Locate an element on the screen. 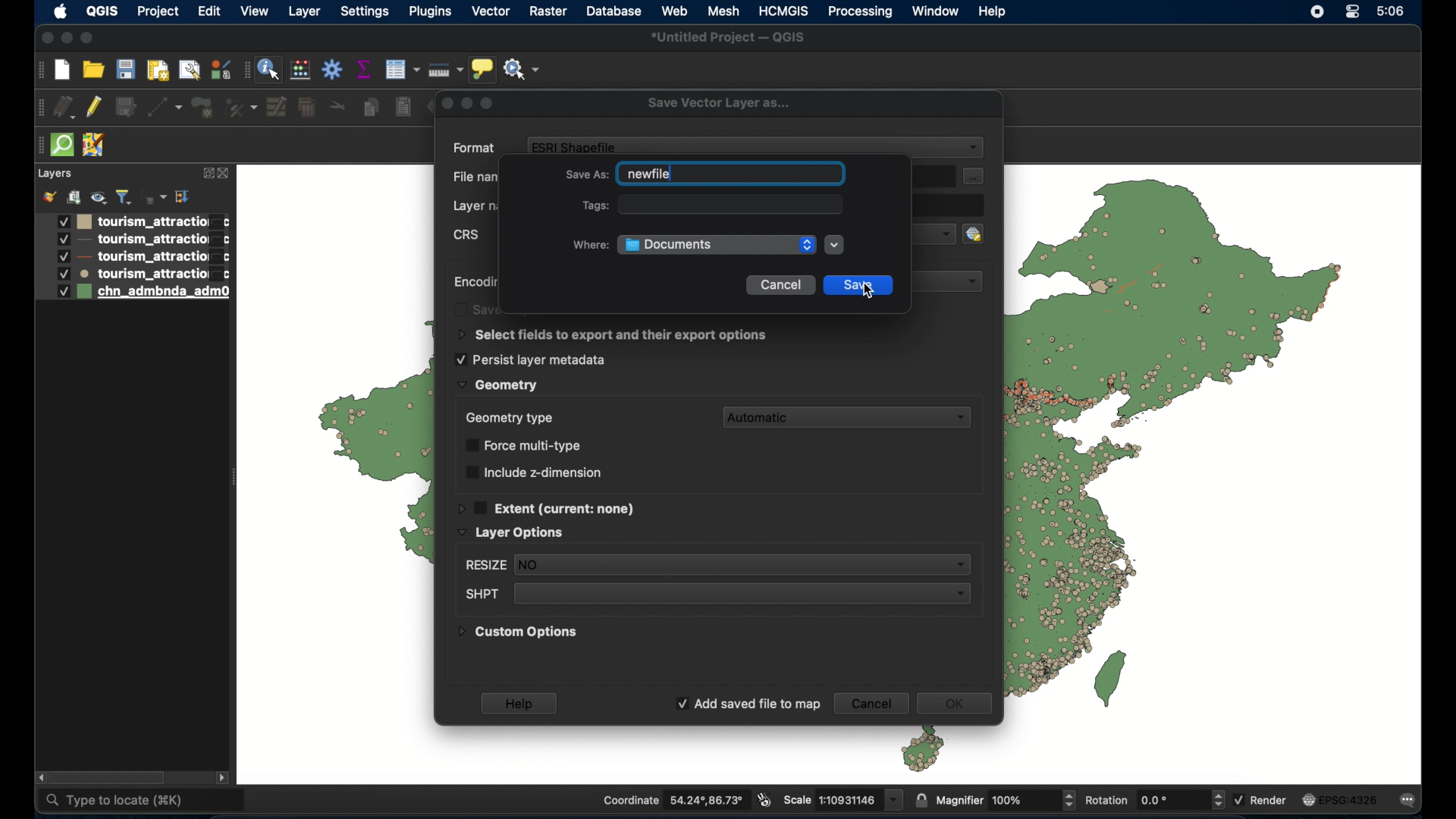 The width and height of the screenshot is (1456, 819). open project is located at coordinates (93, 68).